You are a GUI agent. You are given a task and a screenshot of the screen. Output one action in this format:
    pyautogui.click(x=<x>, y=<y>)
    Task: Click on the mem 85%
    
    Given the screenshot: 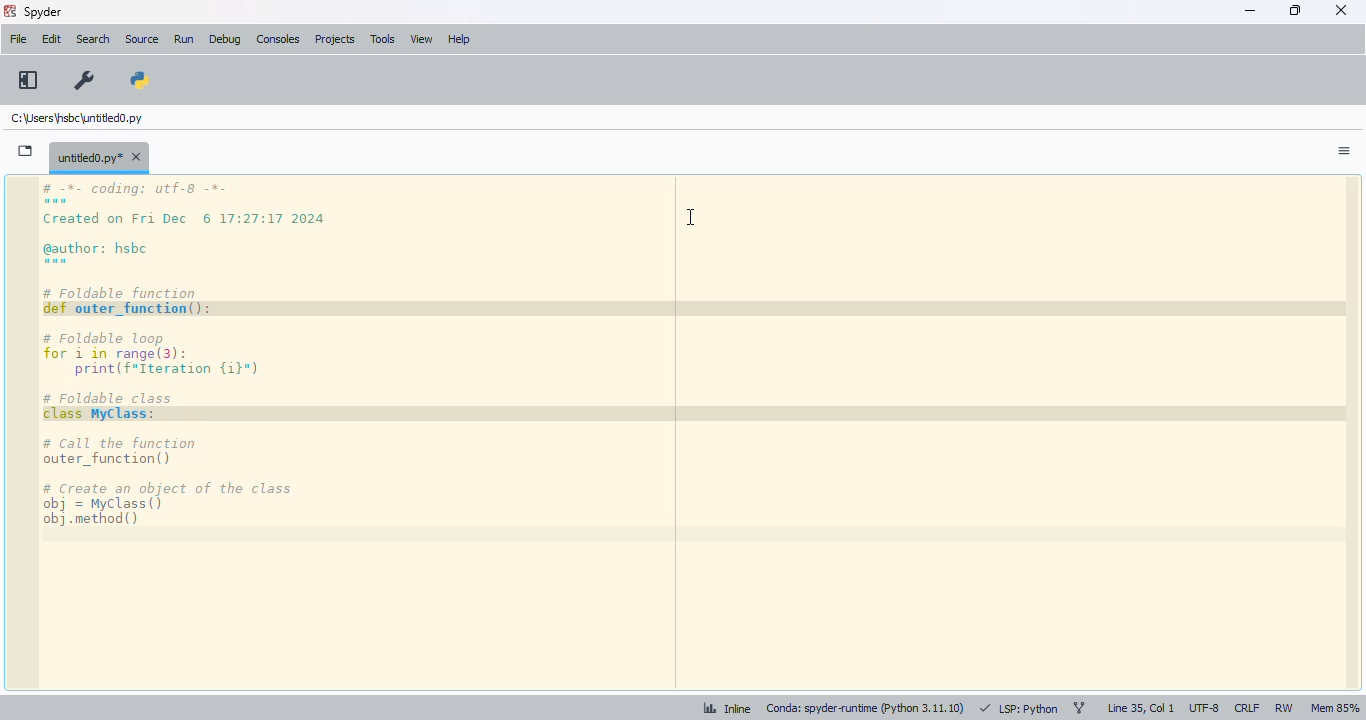 What is the action you would take?
    pyautogui.click(x=1334, y=709)
    